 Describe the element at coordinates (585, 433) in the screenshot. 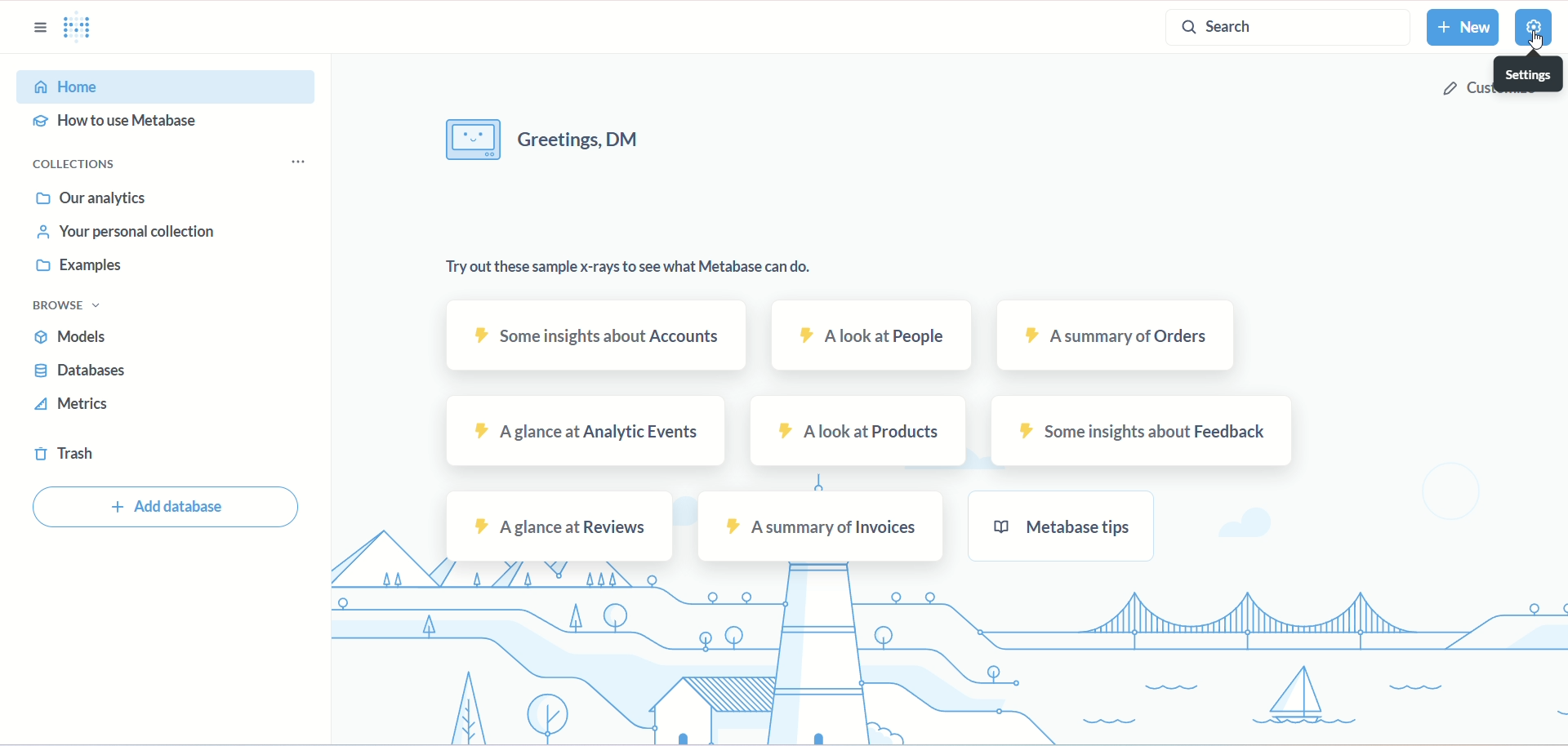

I see `analytic events` at that location.